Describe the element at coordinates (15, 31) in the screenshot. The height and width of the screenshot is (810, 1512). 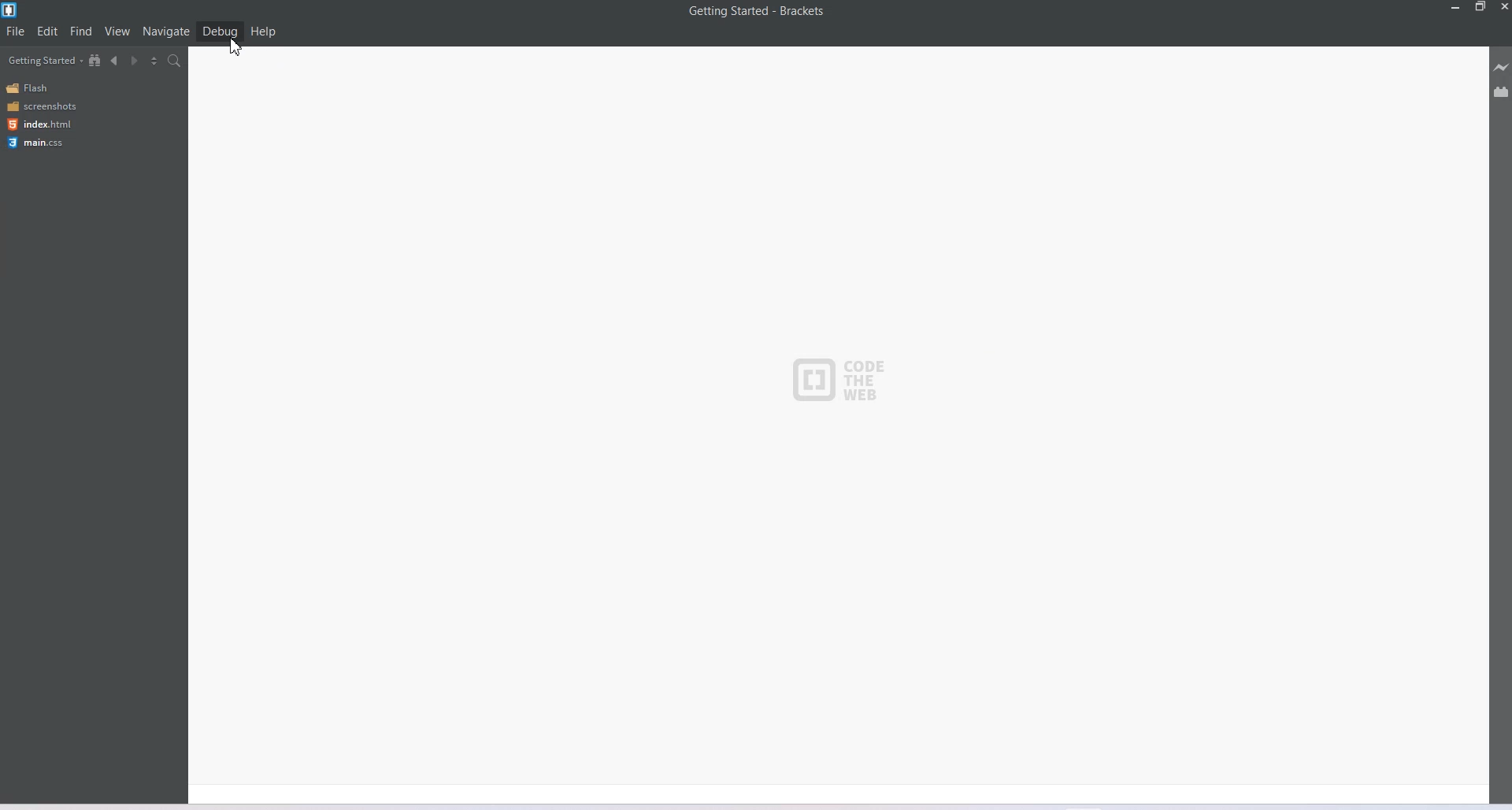
I see `File` at that location.